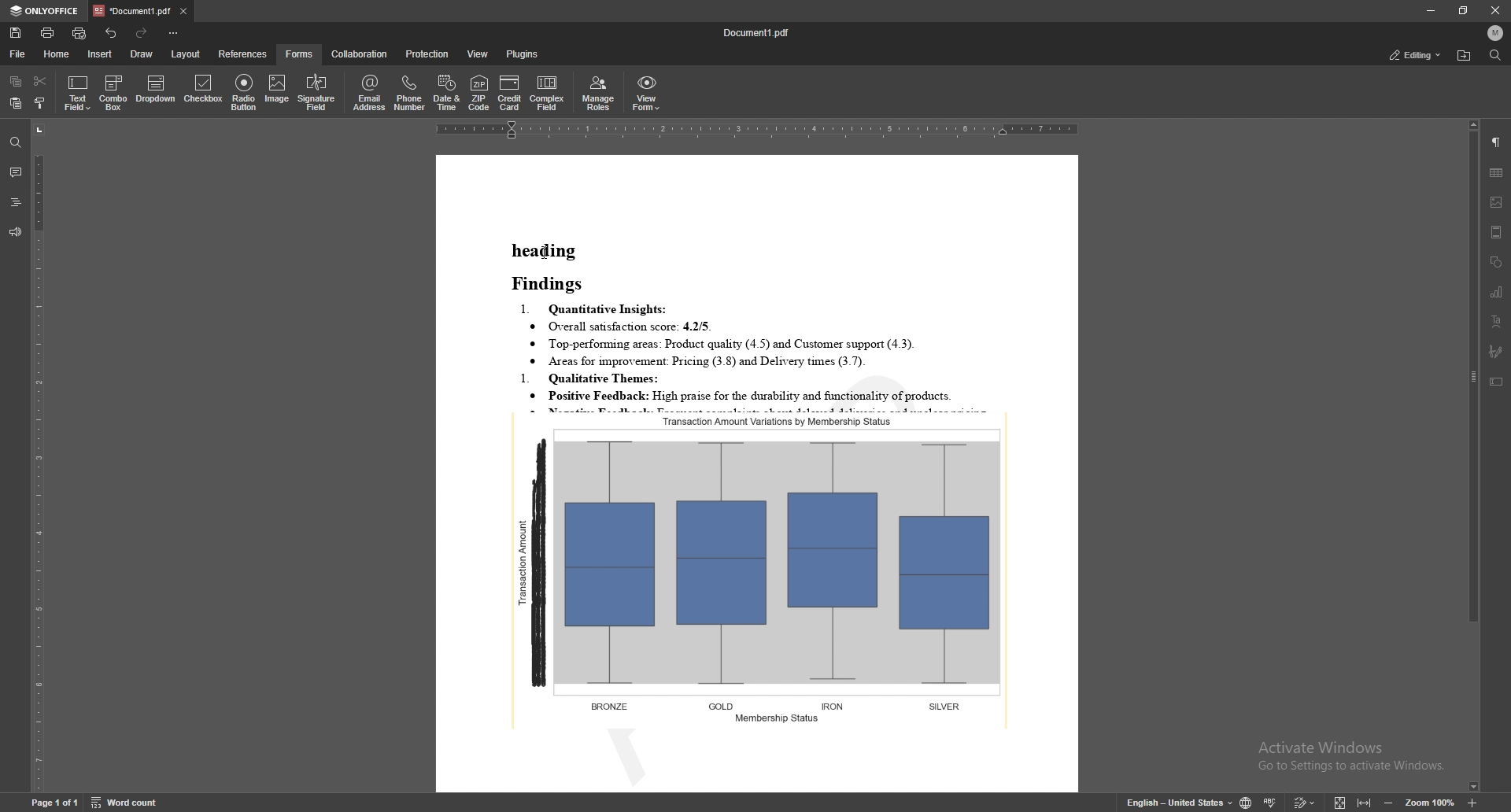 This screenshot has height=812, width=1511. What do you see at coordinates (1496, 142) in the screenshot?
I see `paragraph` at bounding box center [1496, 142].